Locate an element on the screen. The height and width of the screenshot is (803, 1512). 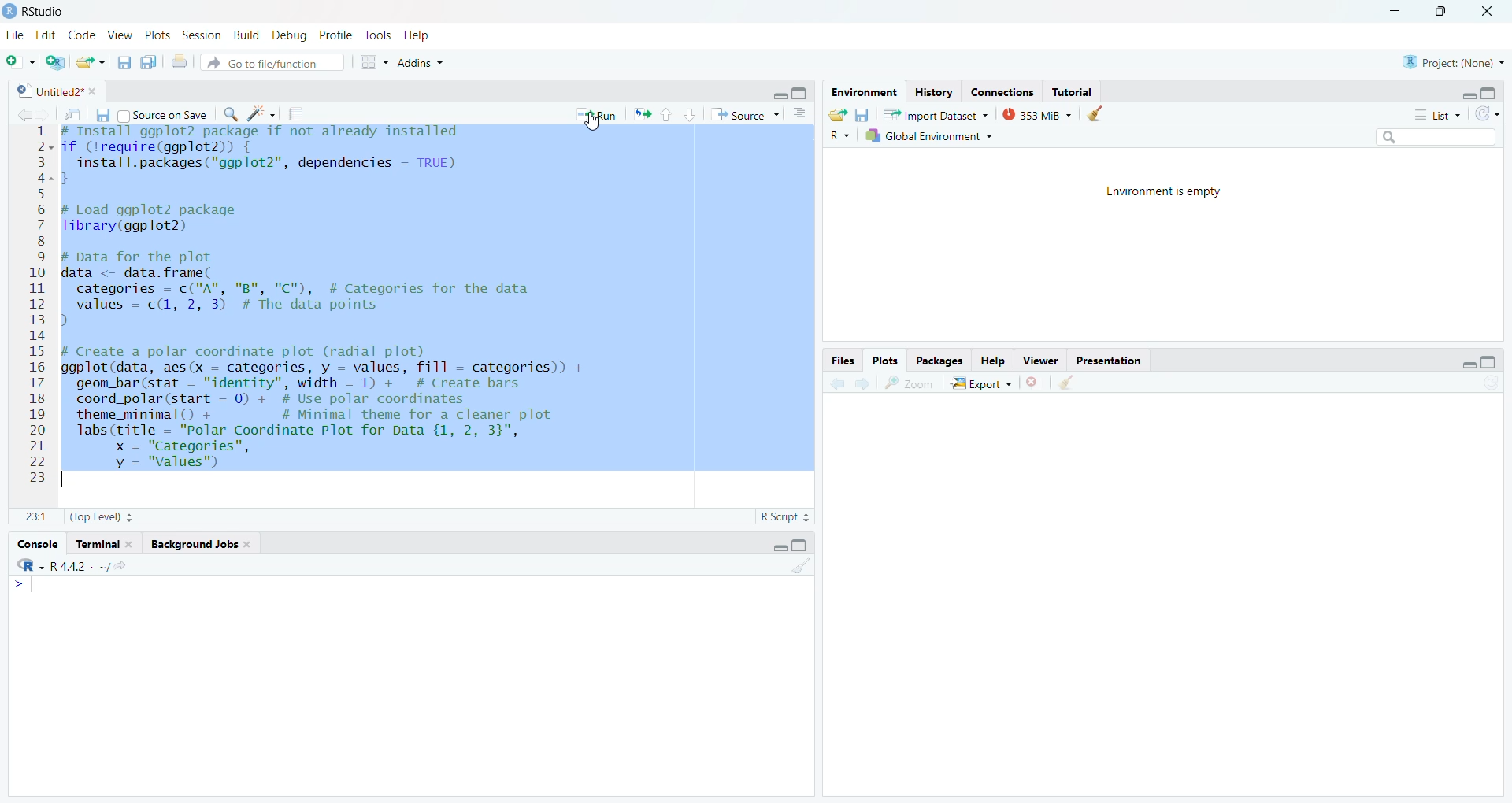
typing cursor is located at coordinates (26, 591).